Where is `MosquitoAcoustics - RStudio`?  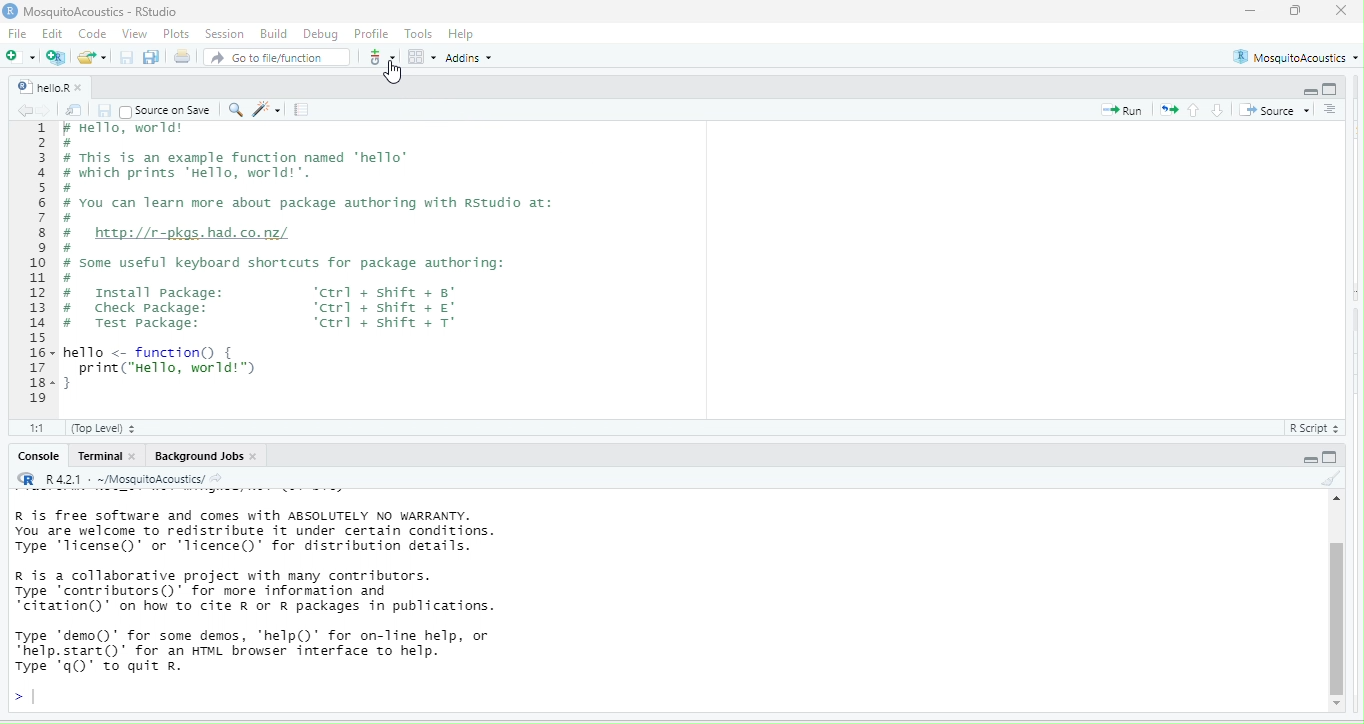
MosquitoAcoustics - RStudio is located at coordinates (110, 10).